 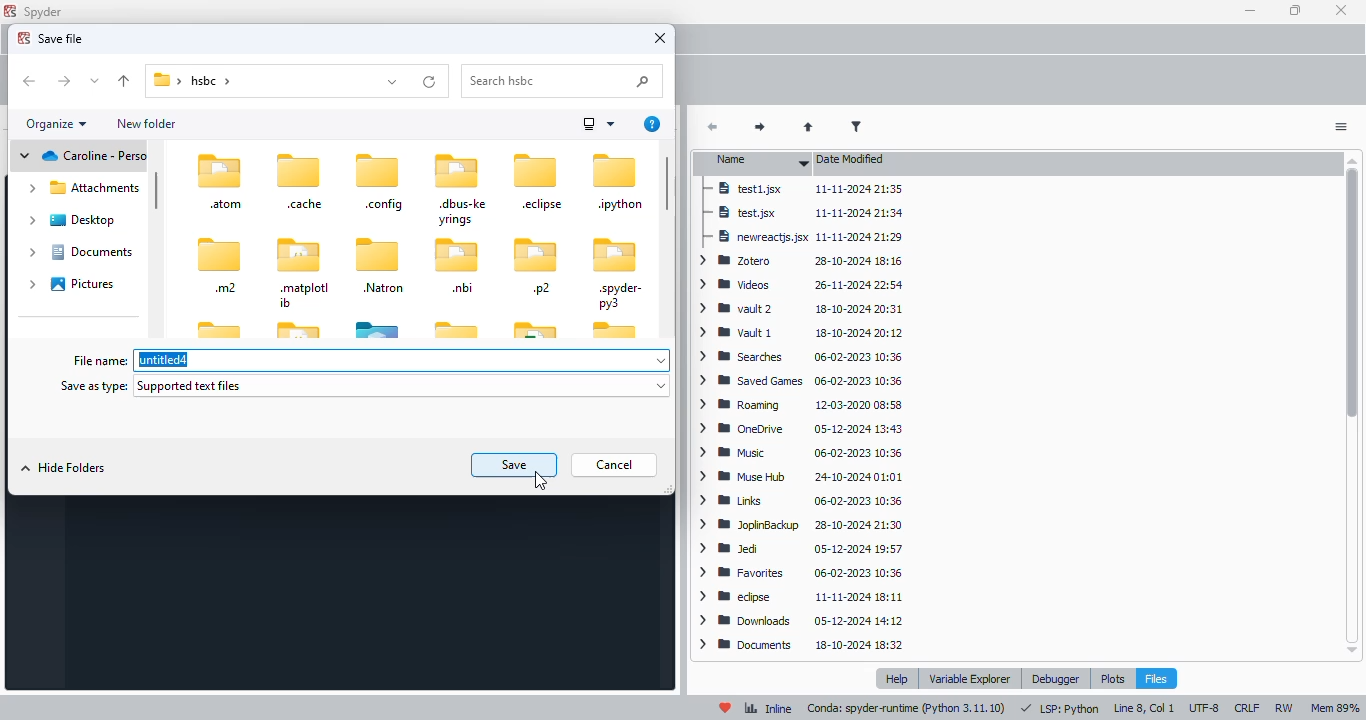 What do you see at coordinates (1207, 709) in the screenshot?
I see `UTF-8` at bounding box center [1207, 709].